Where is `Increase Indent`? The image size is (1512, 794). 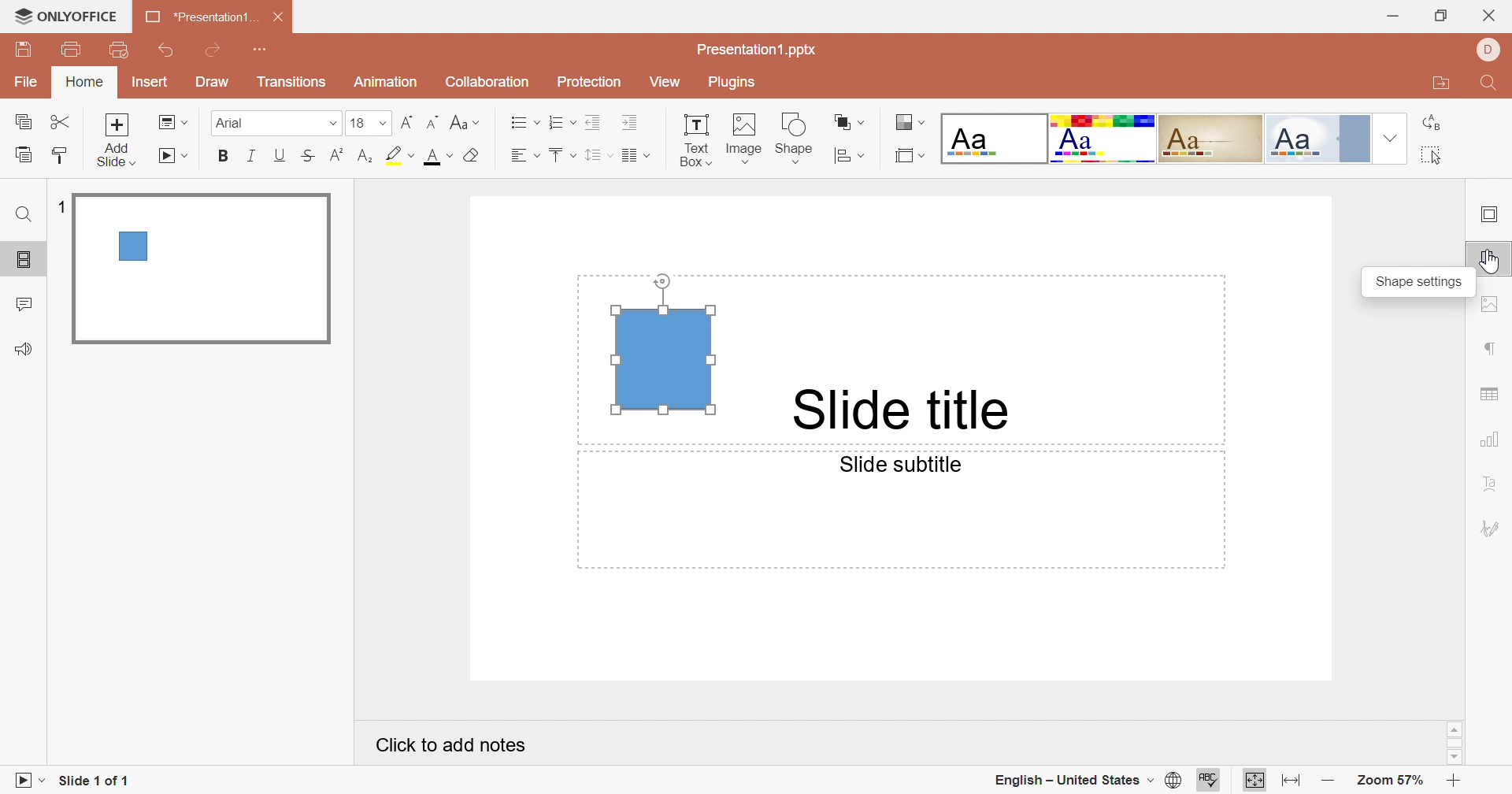 Increase Indent is located at coordinates (628, 122).